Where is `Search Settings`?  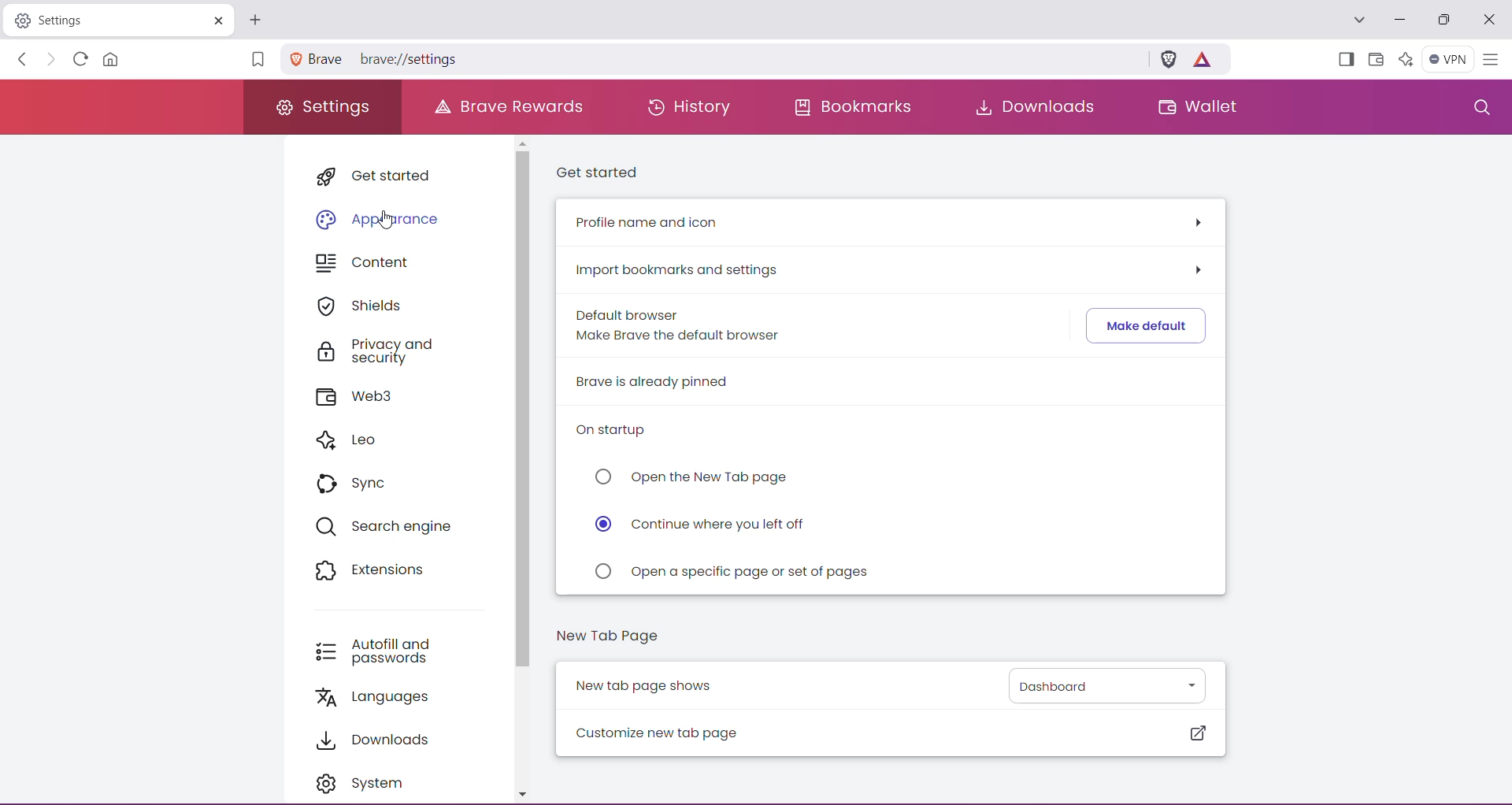 Search Settings is located at coordinates (1480, 108).